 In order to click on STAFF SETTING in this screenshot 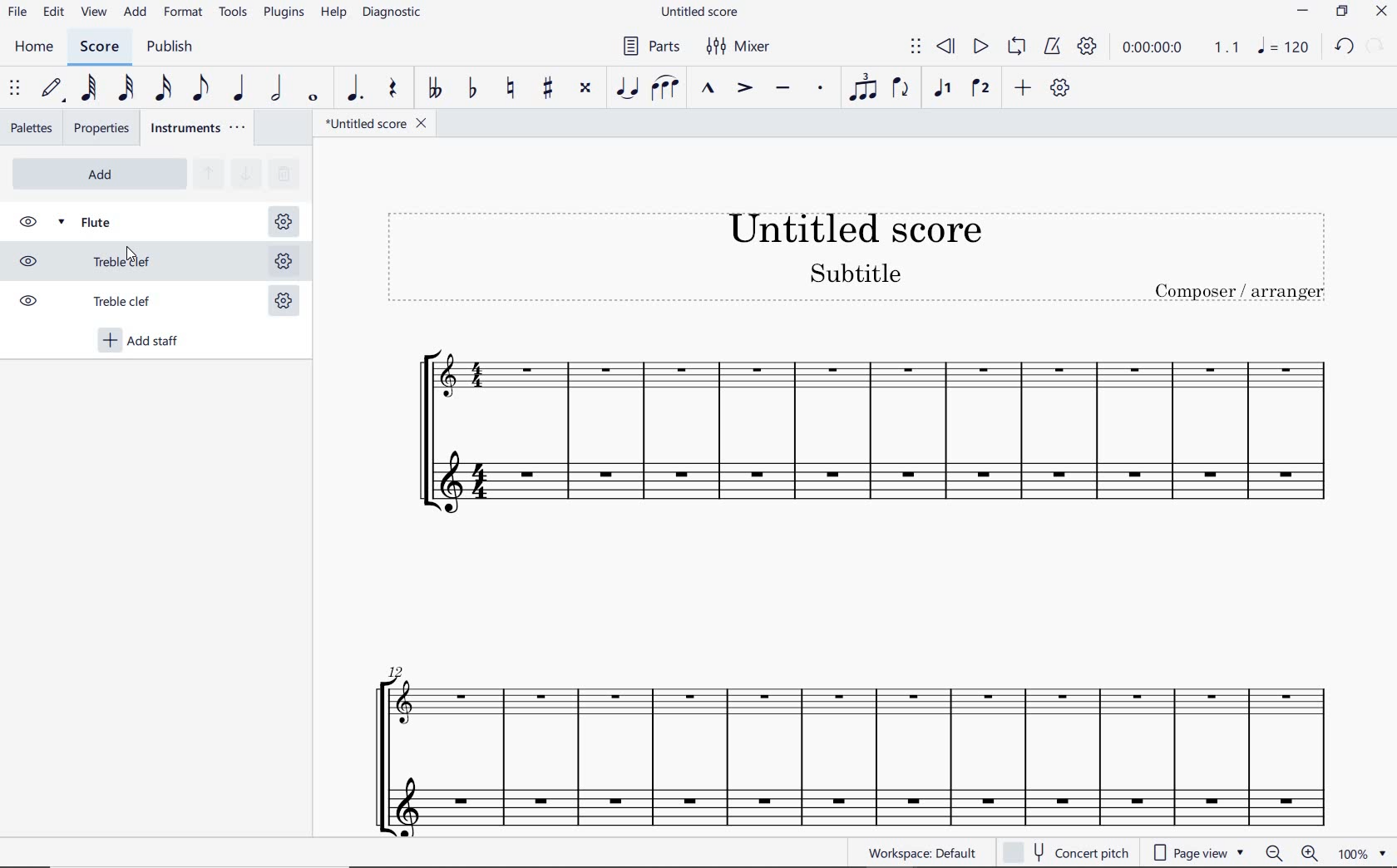, I will do `click(282, 222)`.